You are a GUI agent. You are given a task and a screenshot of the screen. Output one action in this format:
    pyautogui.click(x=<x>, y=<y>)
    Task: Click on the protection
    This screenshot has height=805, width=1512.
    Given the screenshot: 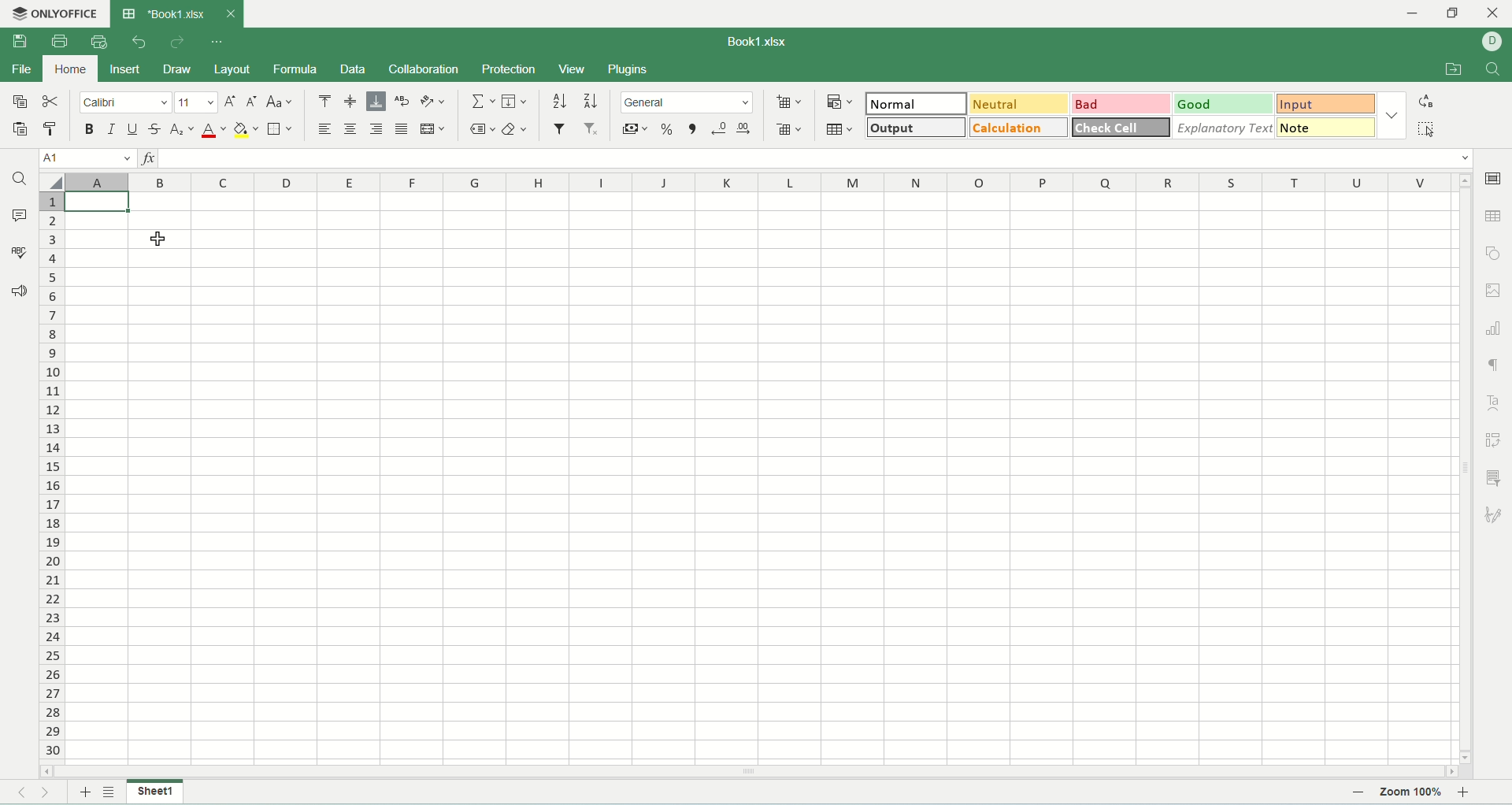 What is the action you would take?
    pyautogui.click(x=509, y=70)
    